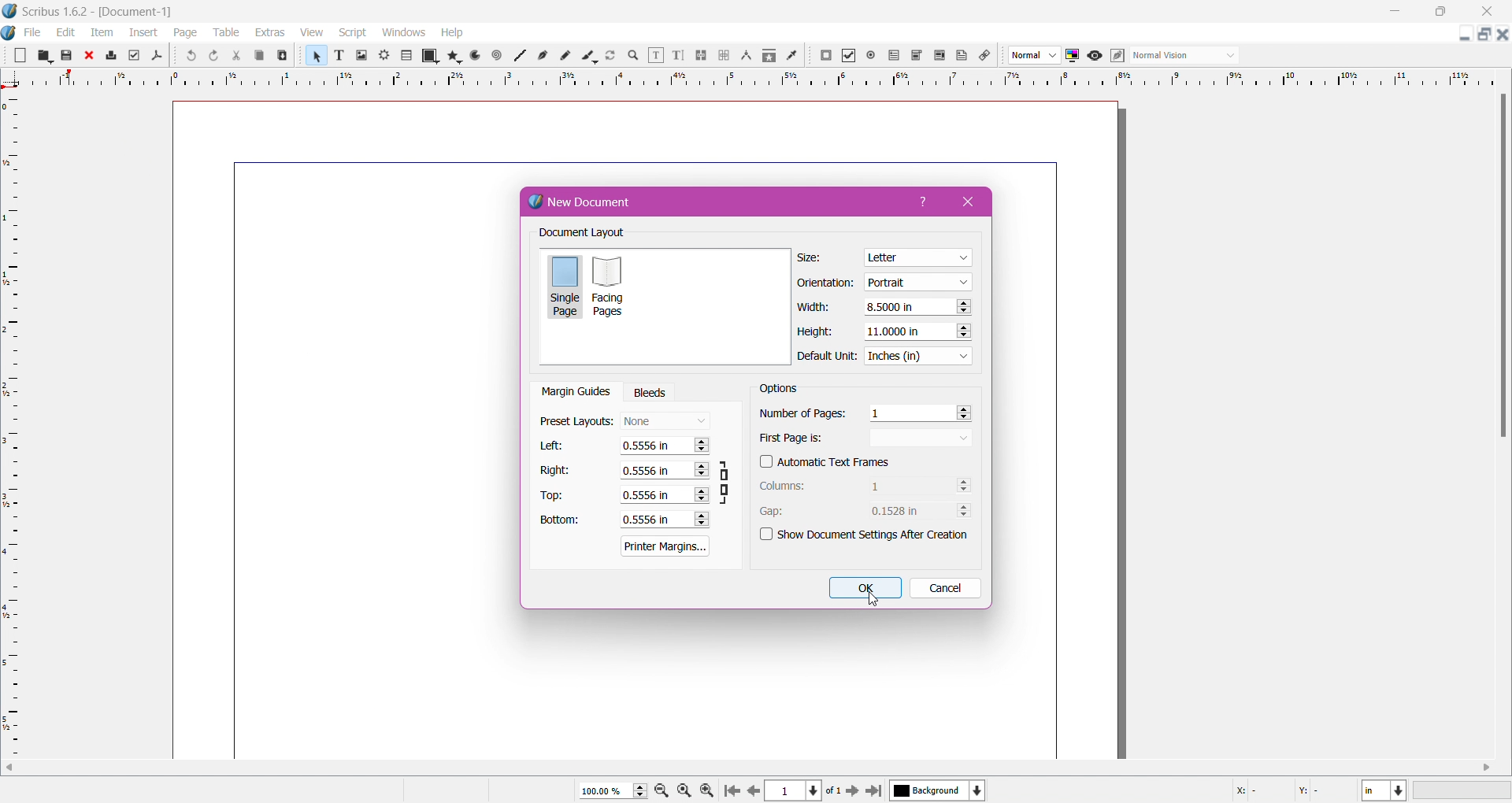 This screenshot has width=1512, height=803. What do you see at coordinates (1503, 36) in the screenshot?
I see `close` at bounding box center [1503, 36].